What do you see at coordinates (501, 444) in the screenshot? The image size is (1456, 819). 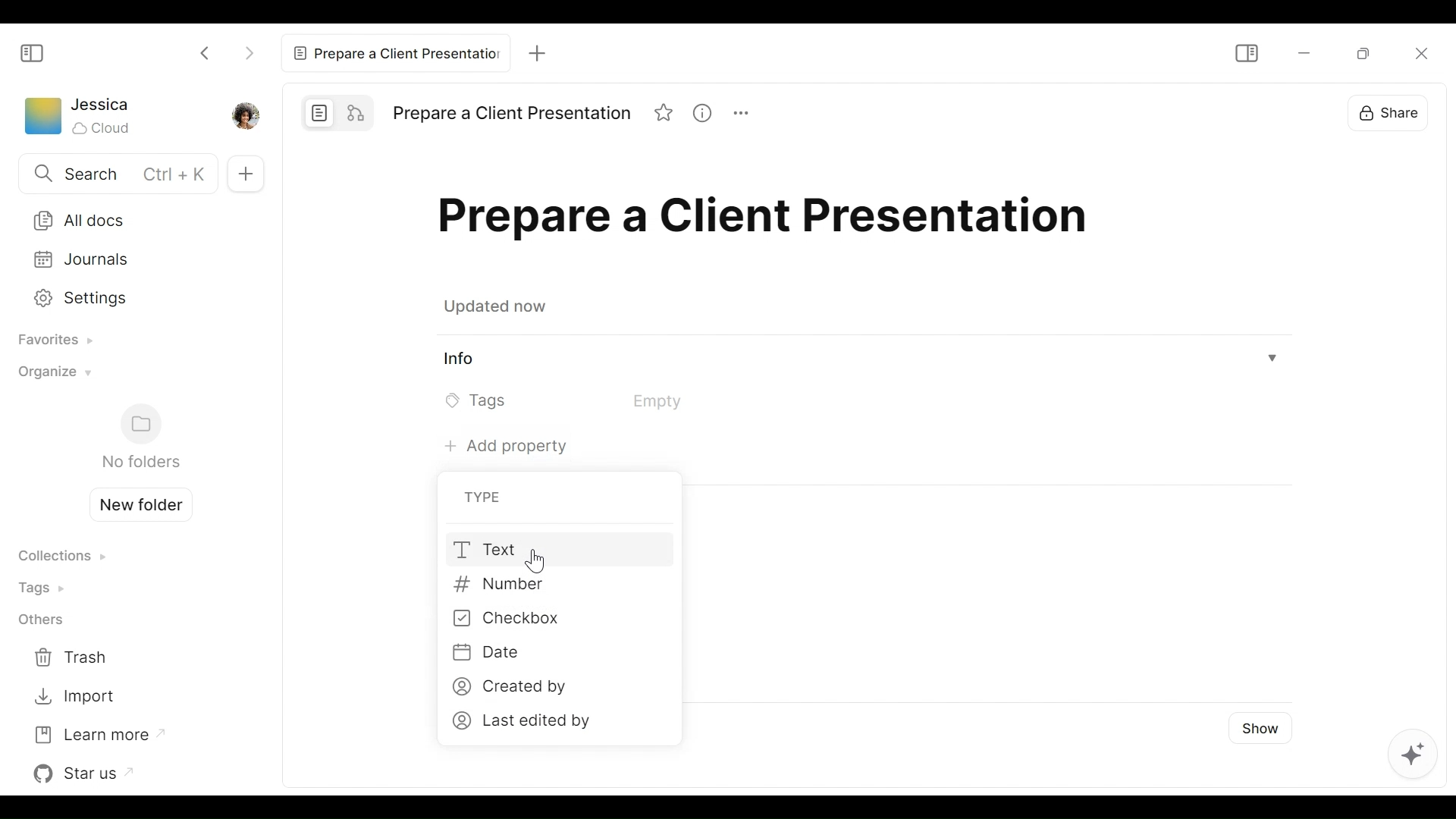 I see `Add property` at bounding box center [501, 444].